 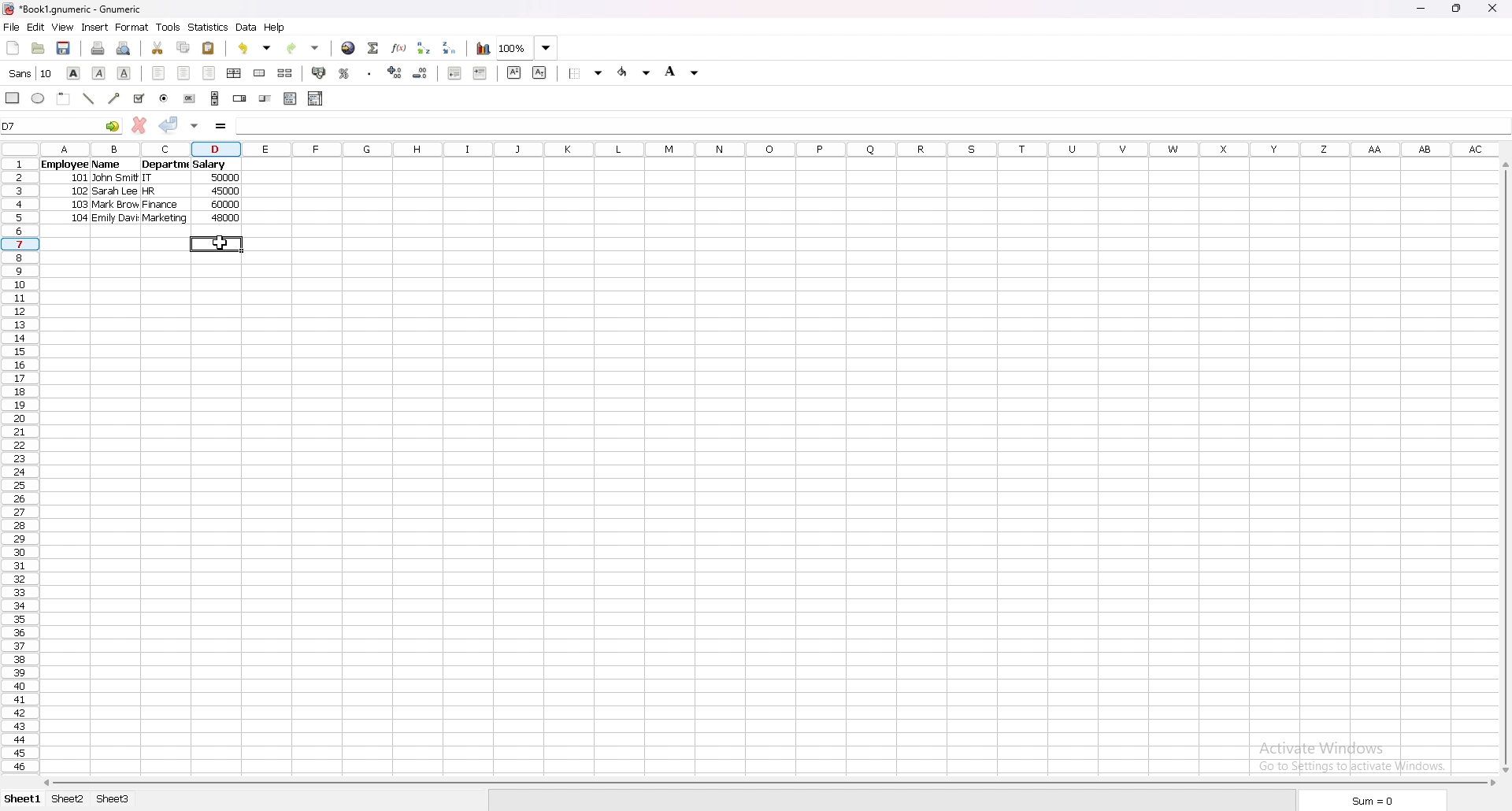 I want to click on name, so click(x=109, y=165).